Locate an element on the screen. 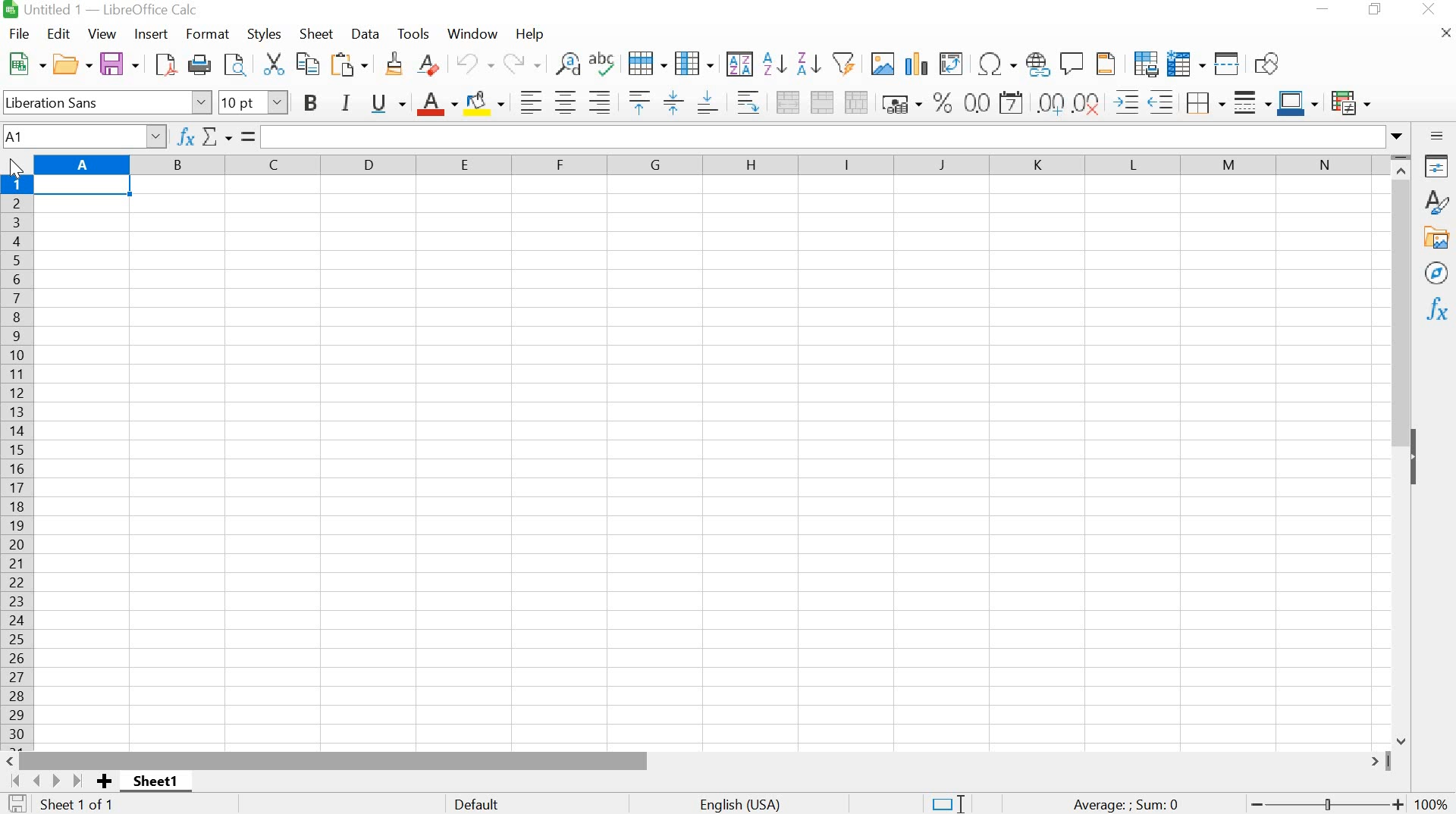 The width and height of the screenshot is (1456, 814). Sort Descending is located at coordinates (806, 64).